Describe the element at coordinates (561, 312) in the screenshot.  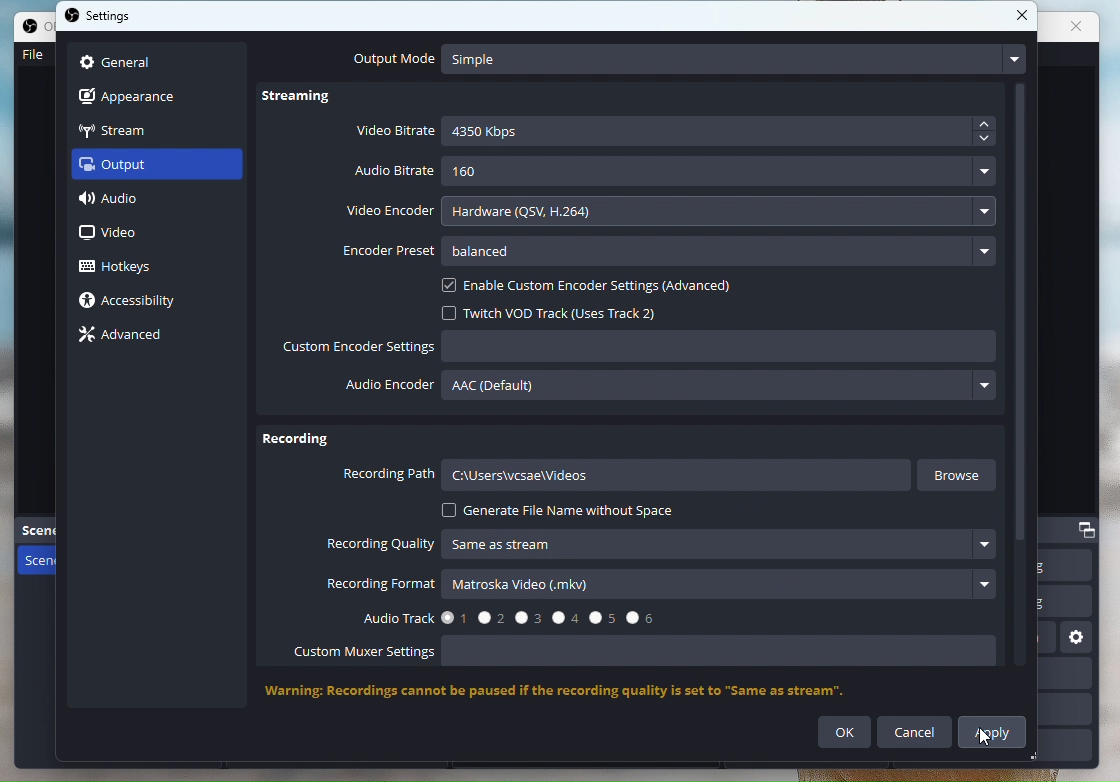
I see `Twitch VOD Track (Uses Track 2)` at that location.